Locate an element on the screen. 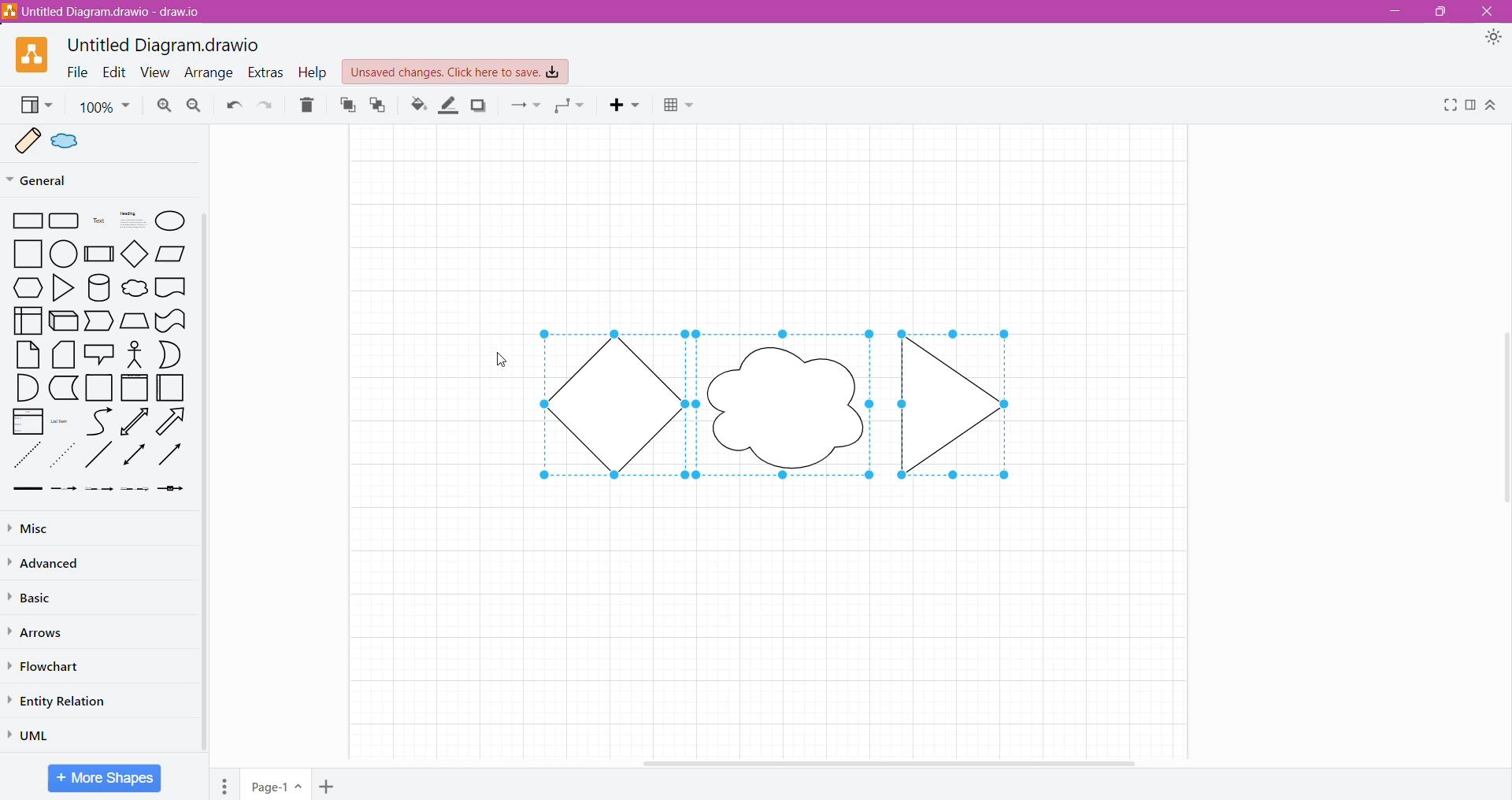  Edit is located at coordinates (114, 72).